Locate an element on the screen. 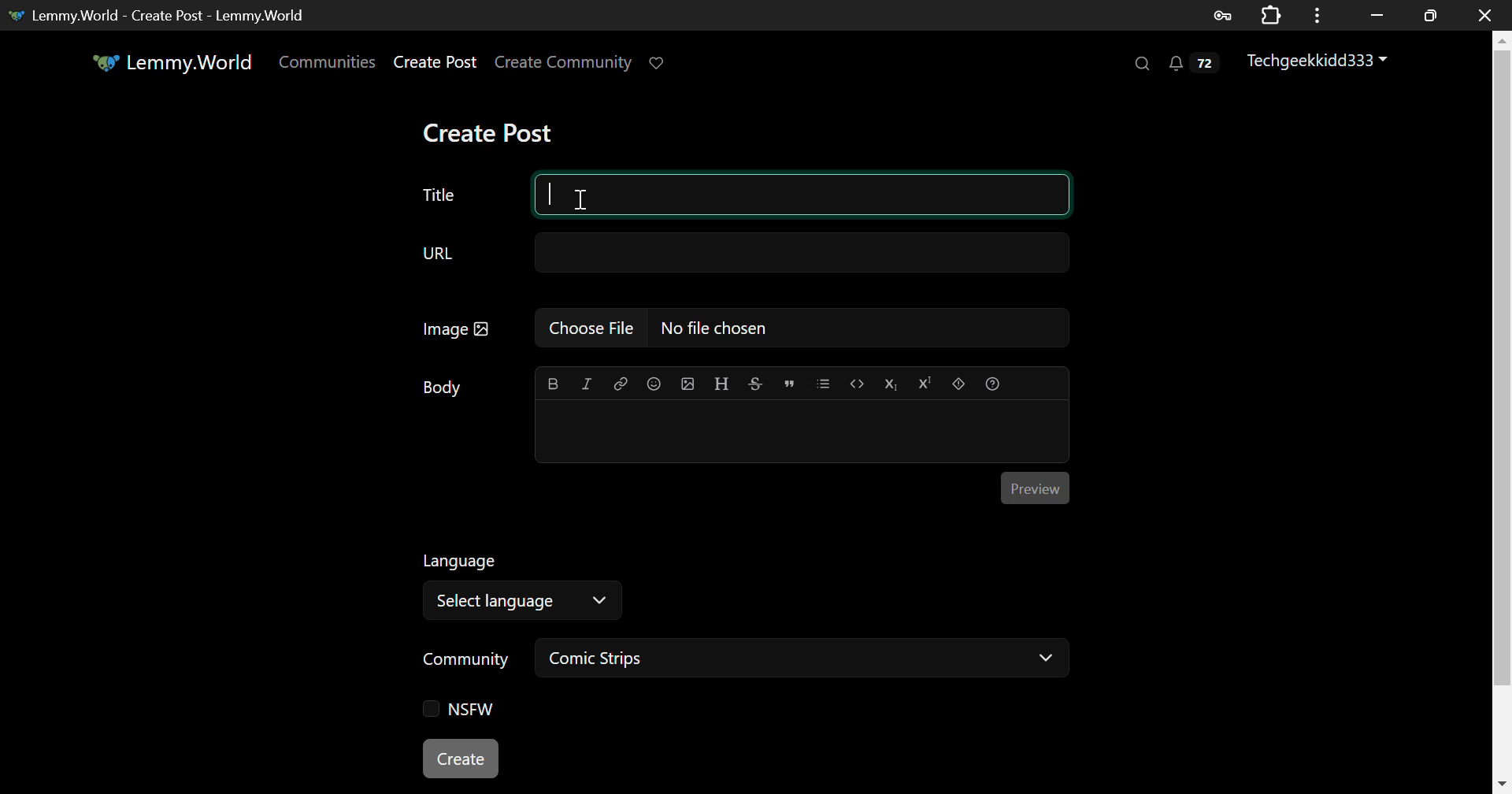 The width and height of the screenshot is (1512, 794). Password Data Saved is located at coordinates (1224, 14).